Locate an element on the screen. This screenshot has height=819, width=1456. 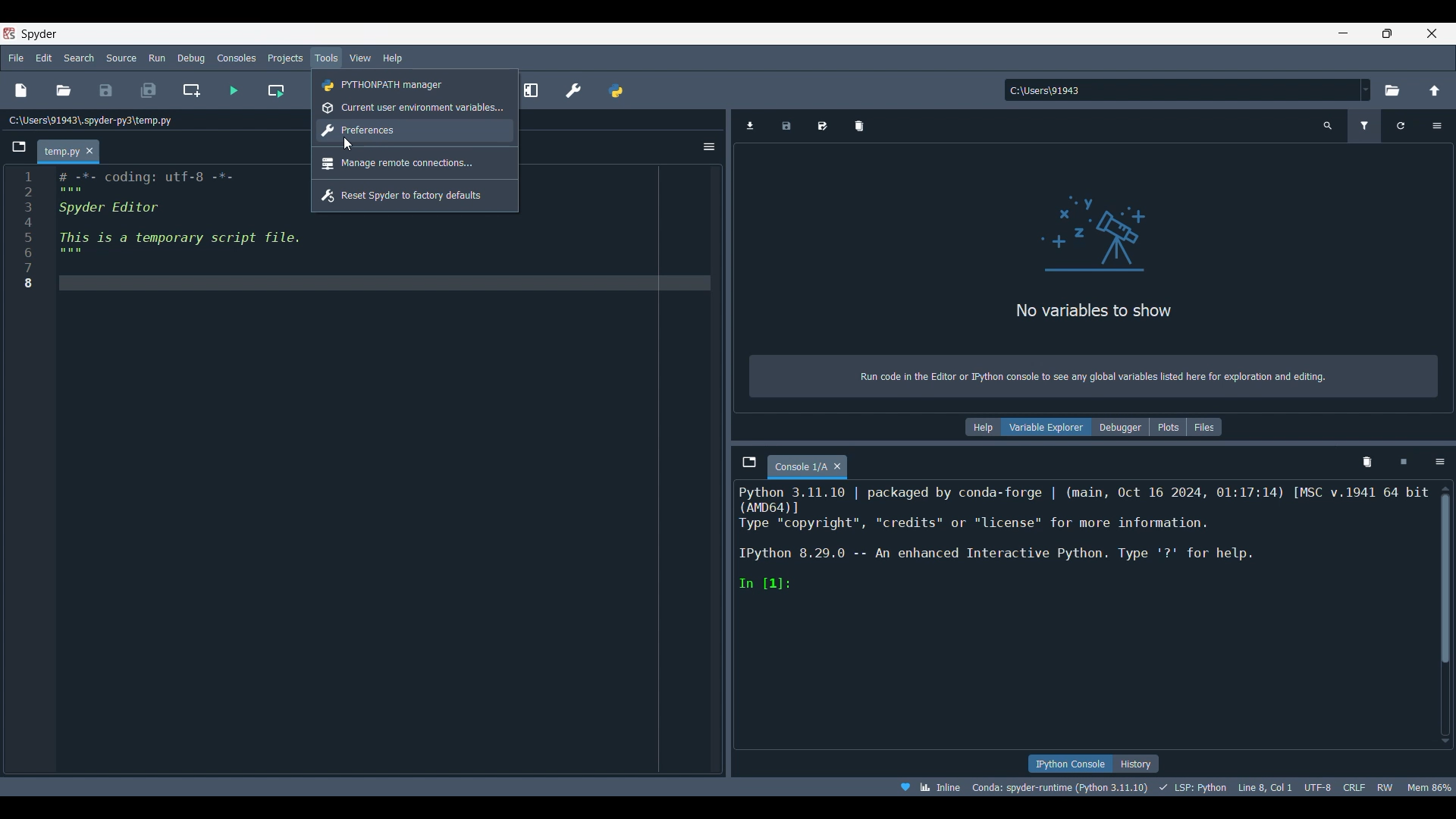
Close interface is located at coordinates (1432, 33).